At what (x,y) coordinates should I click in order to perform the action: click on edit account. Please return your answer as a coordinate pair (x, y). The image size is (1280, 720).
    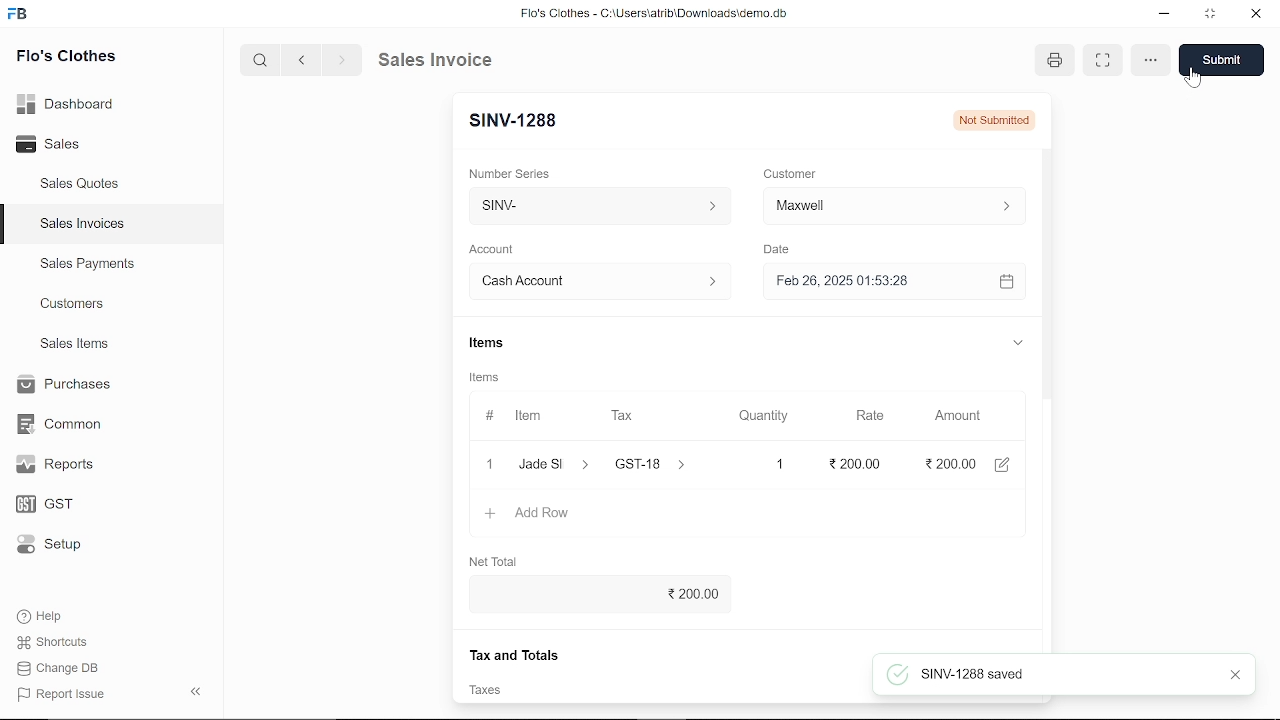
    Looking at the image, I should click on (1006, 463).